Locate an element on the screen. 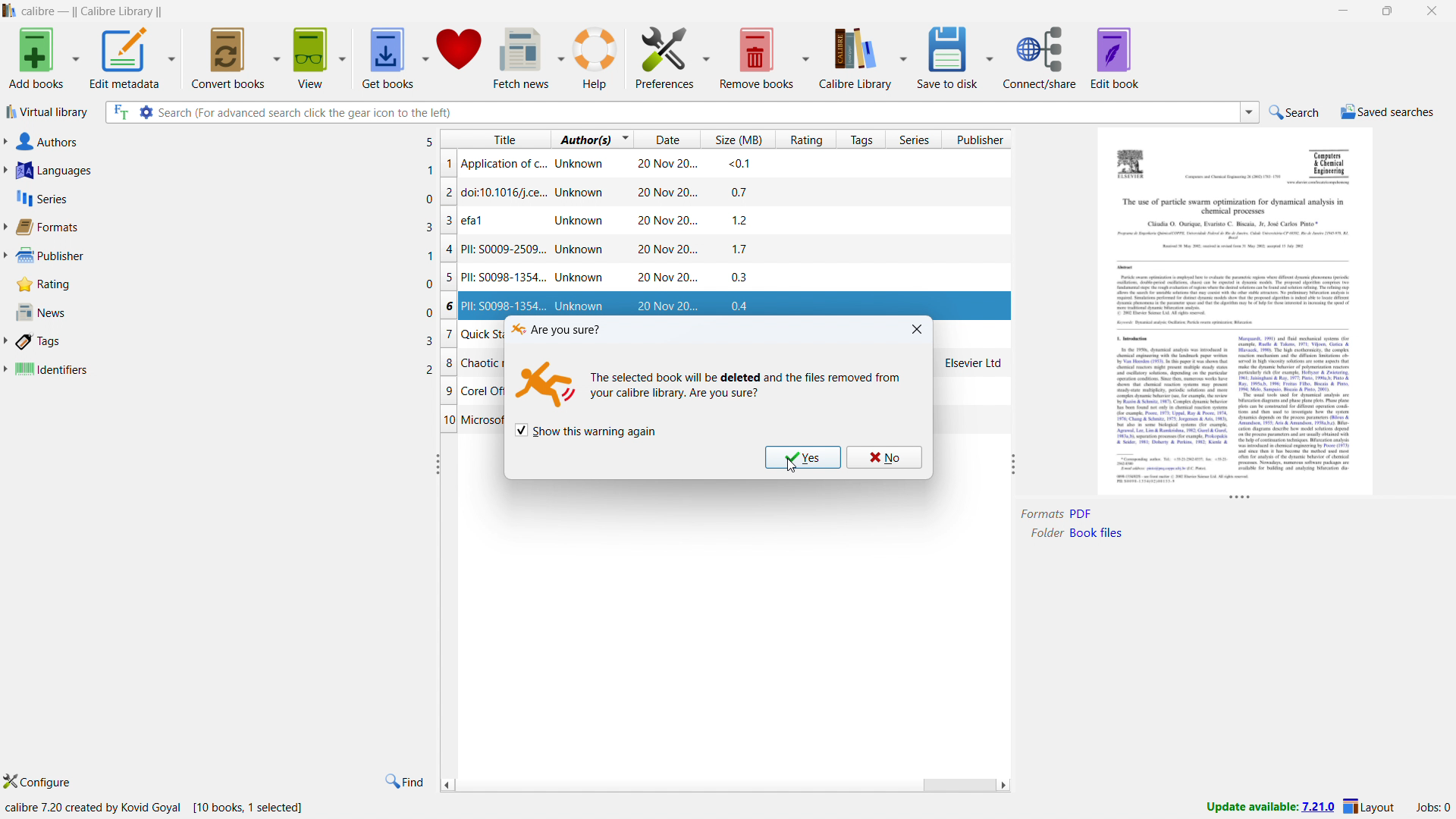 Image resolution: width=1456 pixels, height=819 pixels. add books options is located at coordinates (76, 57).